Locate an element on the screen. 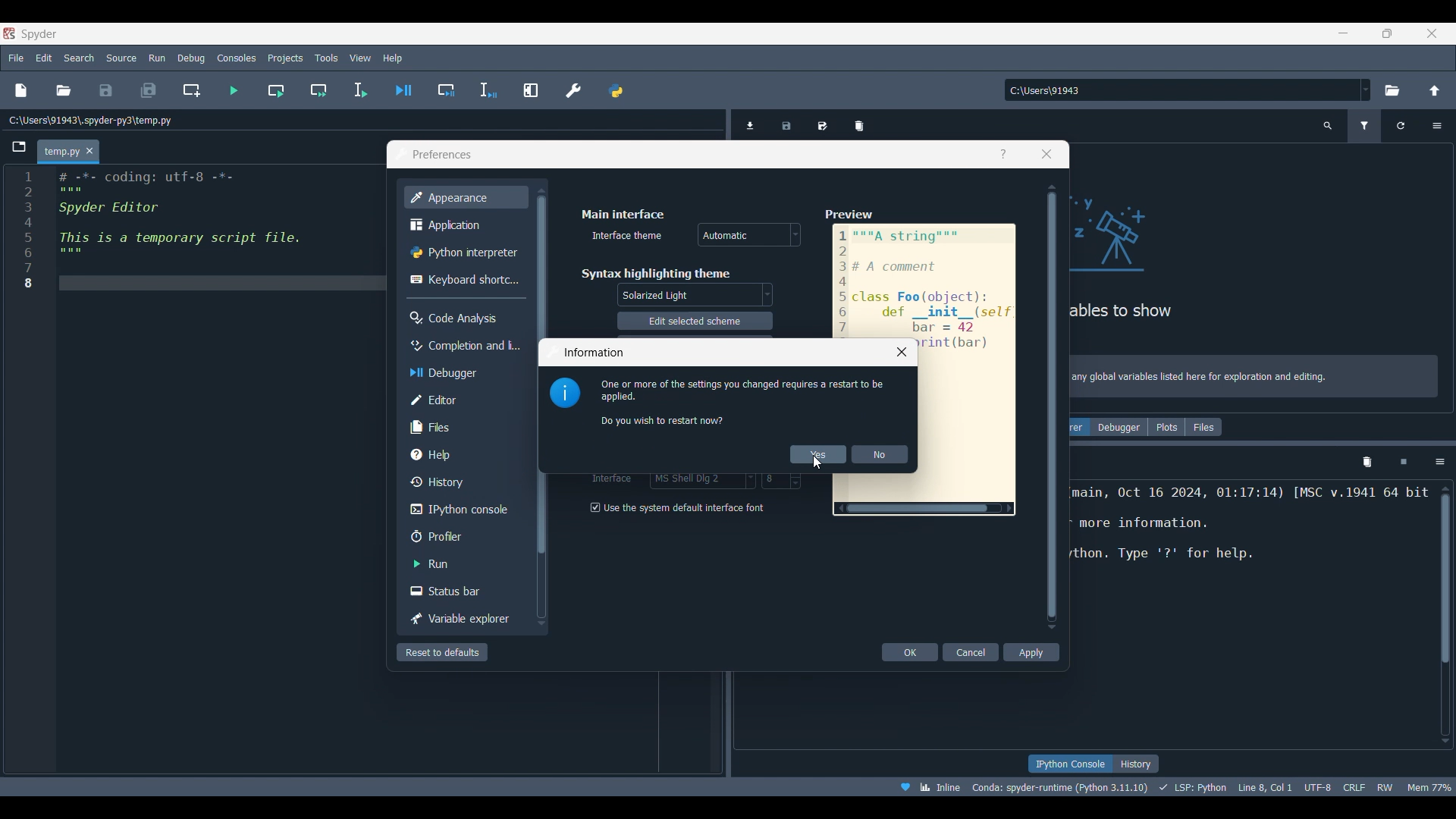 The height and width of the screenshot is (819, 1456). Close interface is located at coordinates (1432, 33).